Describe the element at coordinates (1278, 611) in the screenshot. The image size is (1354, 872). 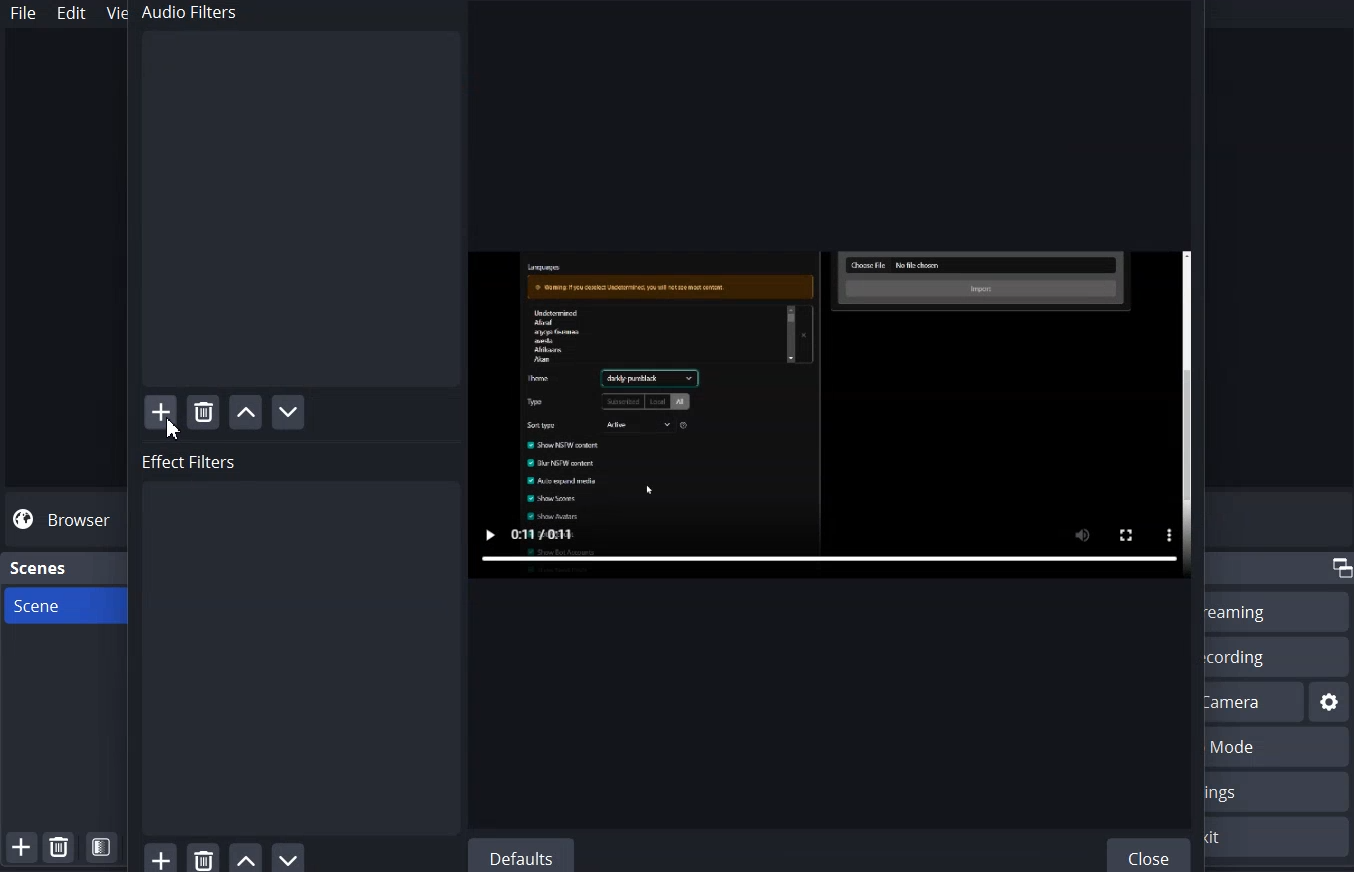
I see `Start Streaming` at that location.